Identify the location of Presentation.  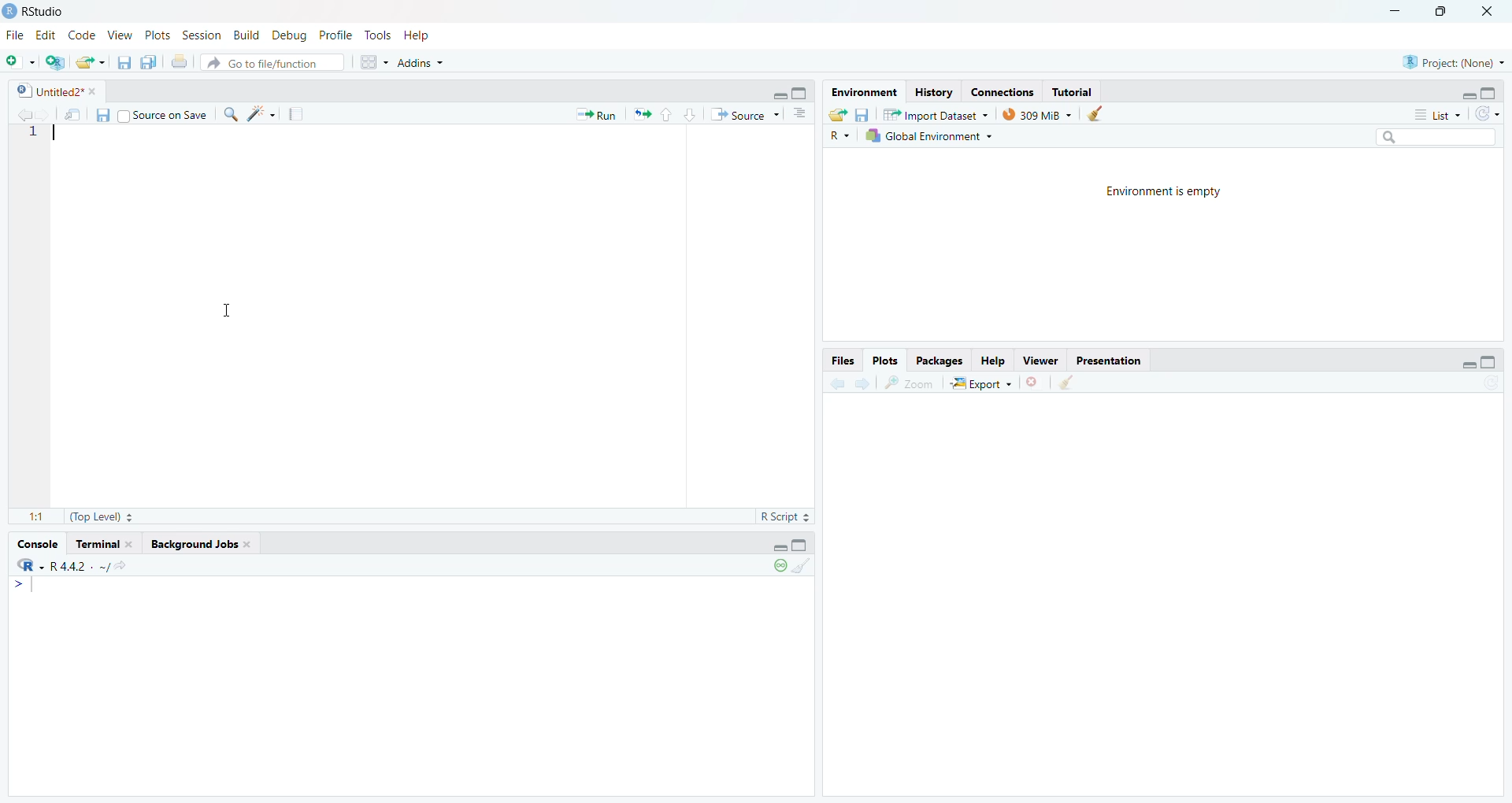
(1114, 361).